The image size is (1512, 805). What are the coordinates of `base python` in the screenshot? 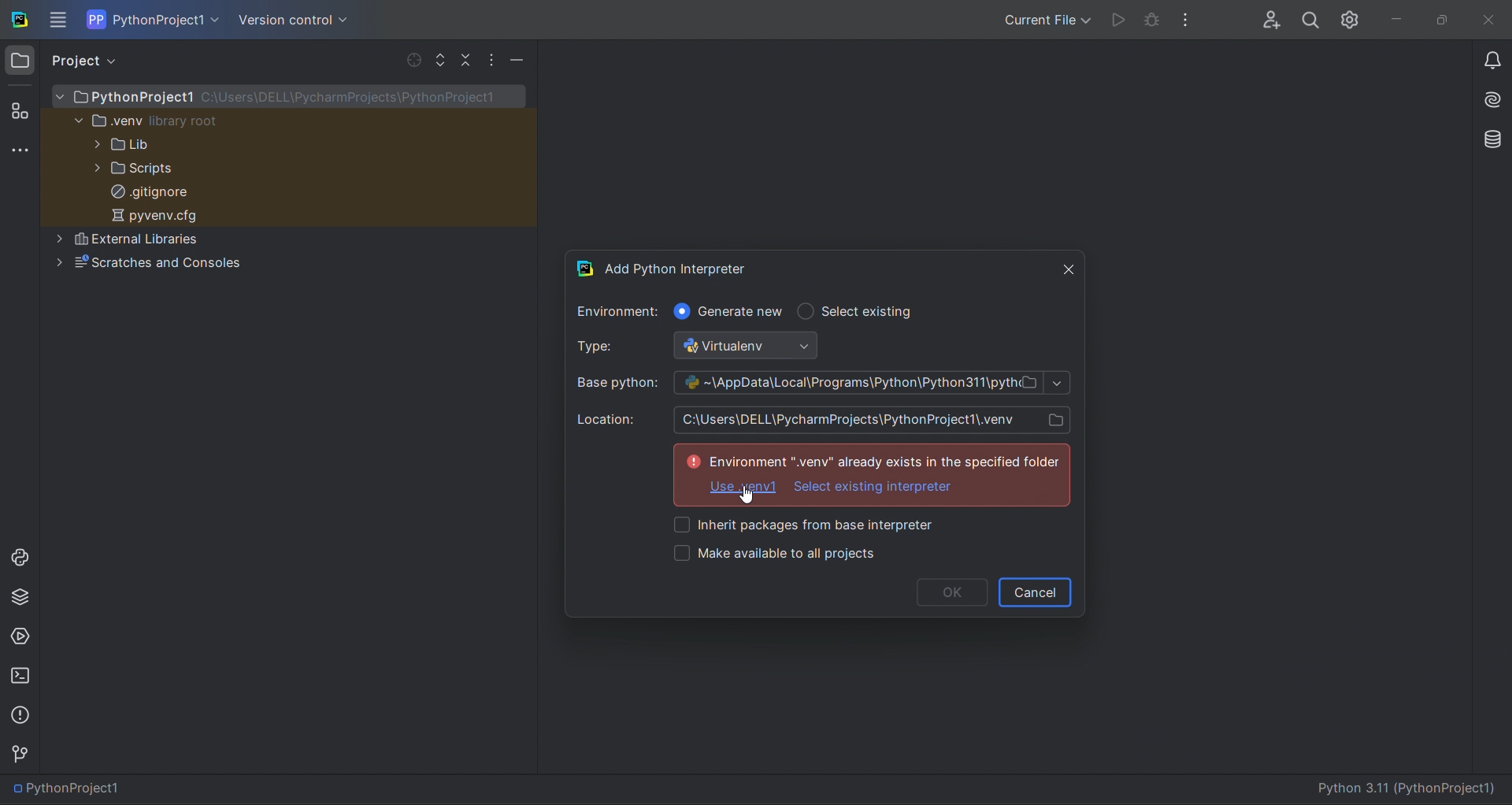 It's located at (821, 381).